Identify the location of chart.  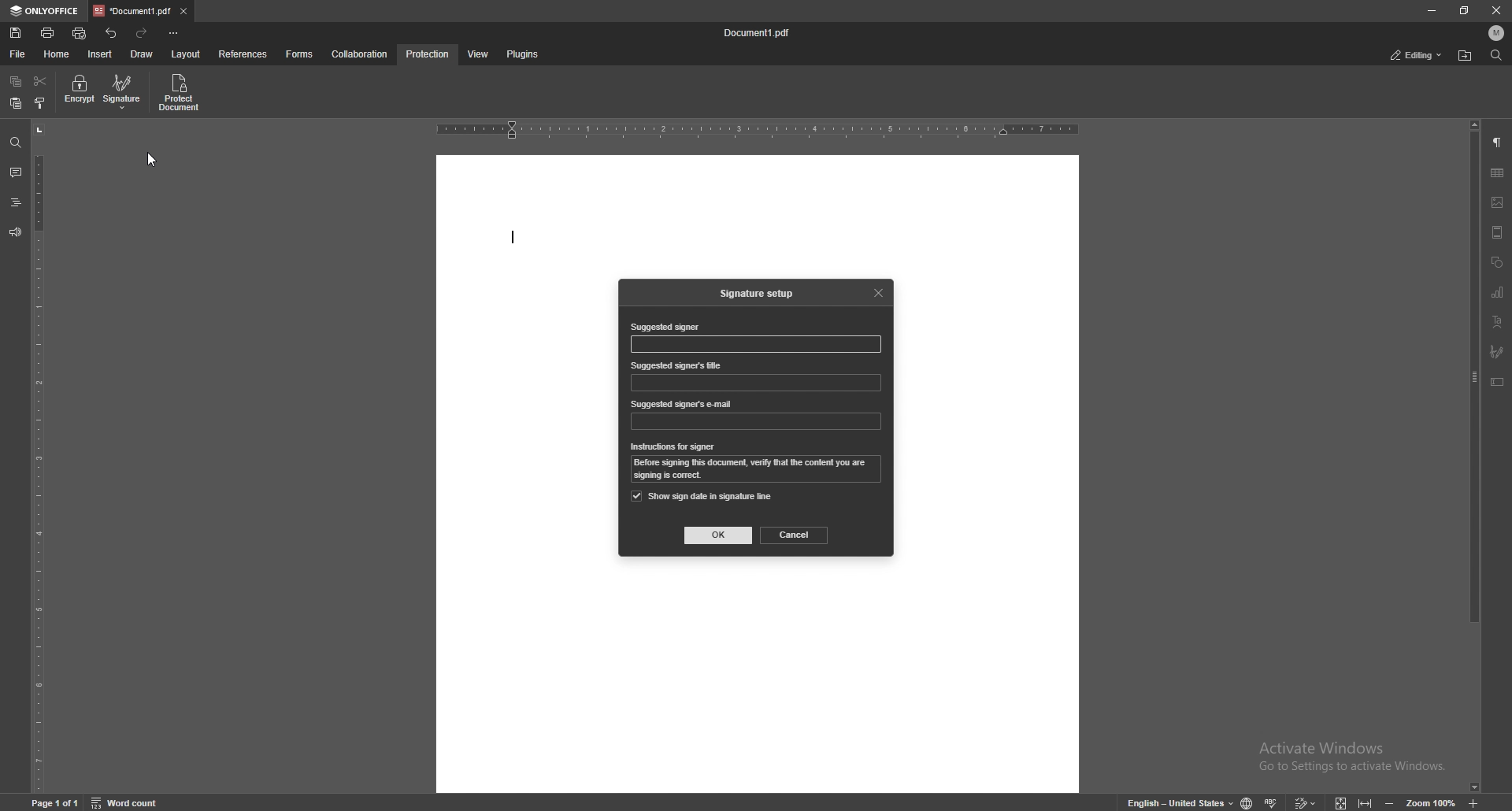
(1498, 293).